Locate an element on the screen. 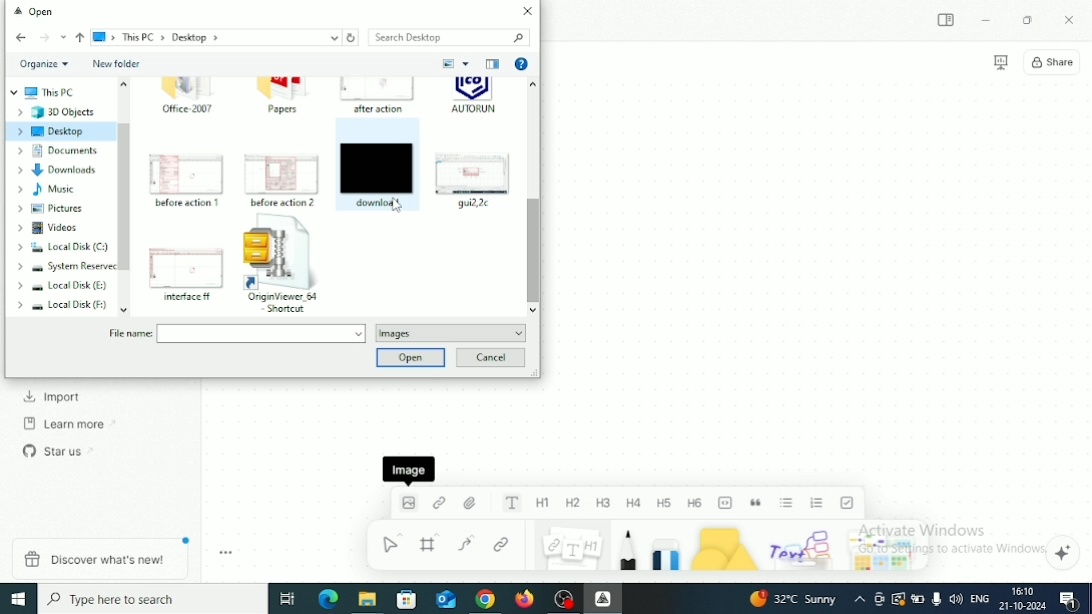 This screenshot has width=1092, height=614. Pen is located at coordinates (629, 548).